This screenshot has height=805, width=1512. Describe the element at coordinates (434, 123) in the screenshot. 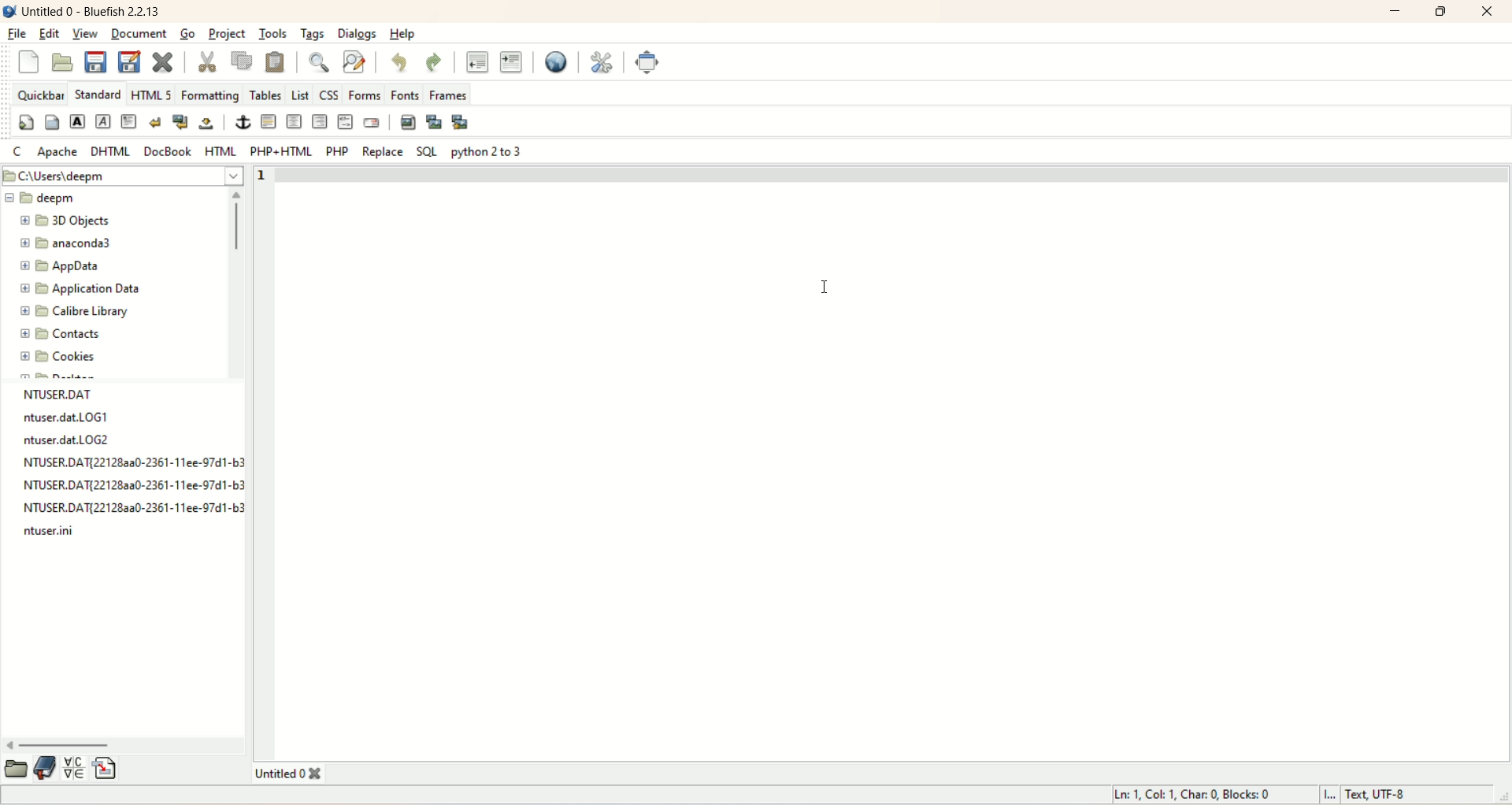

I see `insert thumbnail` at that location.